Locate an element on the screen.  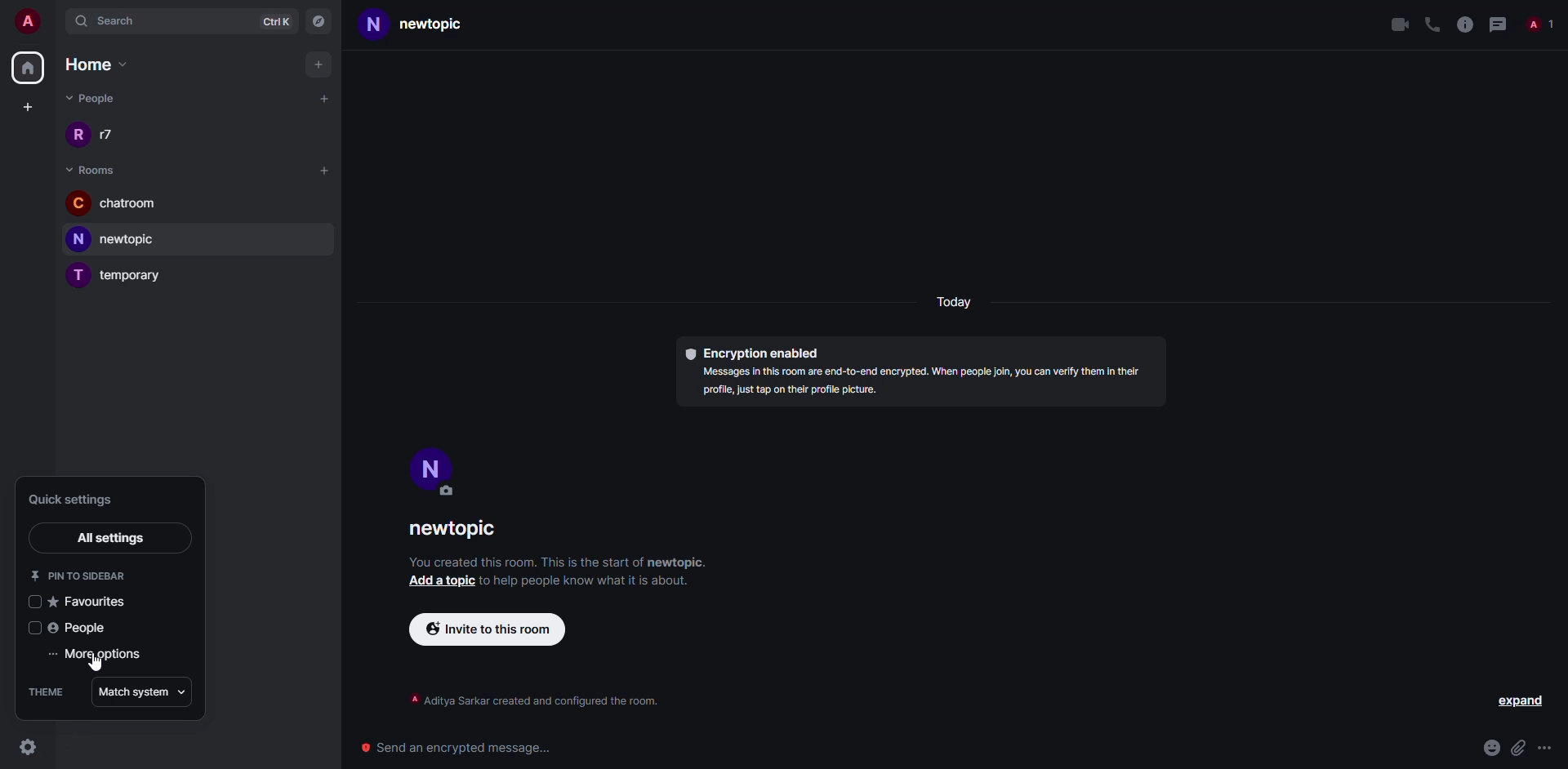
add is located at coordinates (316, 63).